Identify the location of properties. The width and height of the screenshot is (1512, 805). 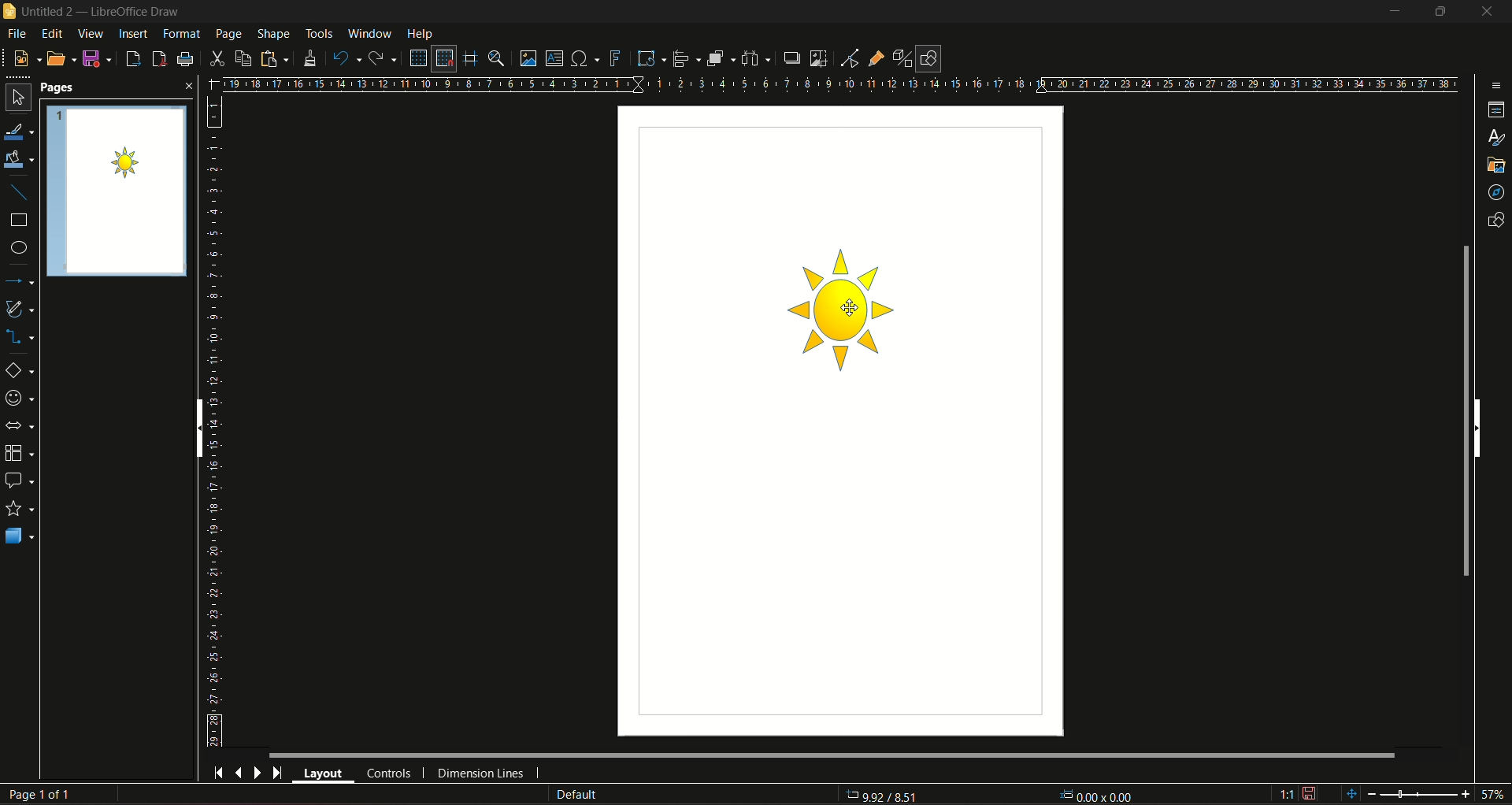
(1497, 109).